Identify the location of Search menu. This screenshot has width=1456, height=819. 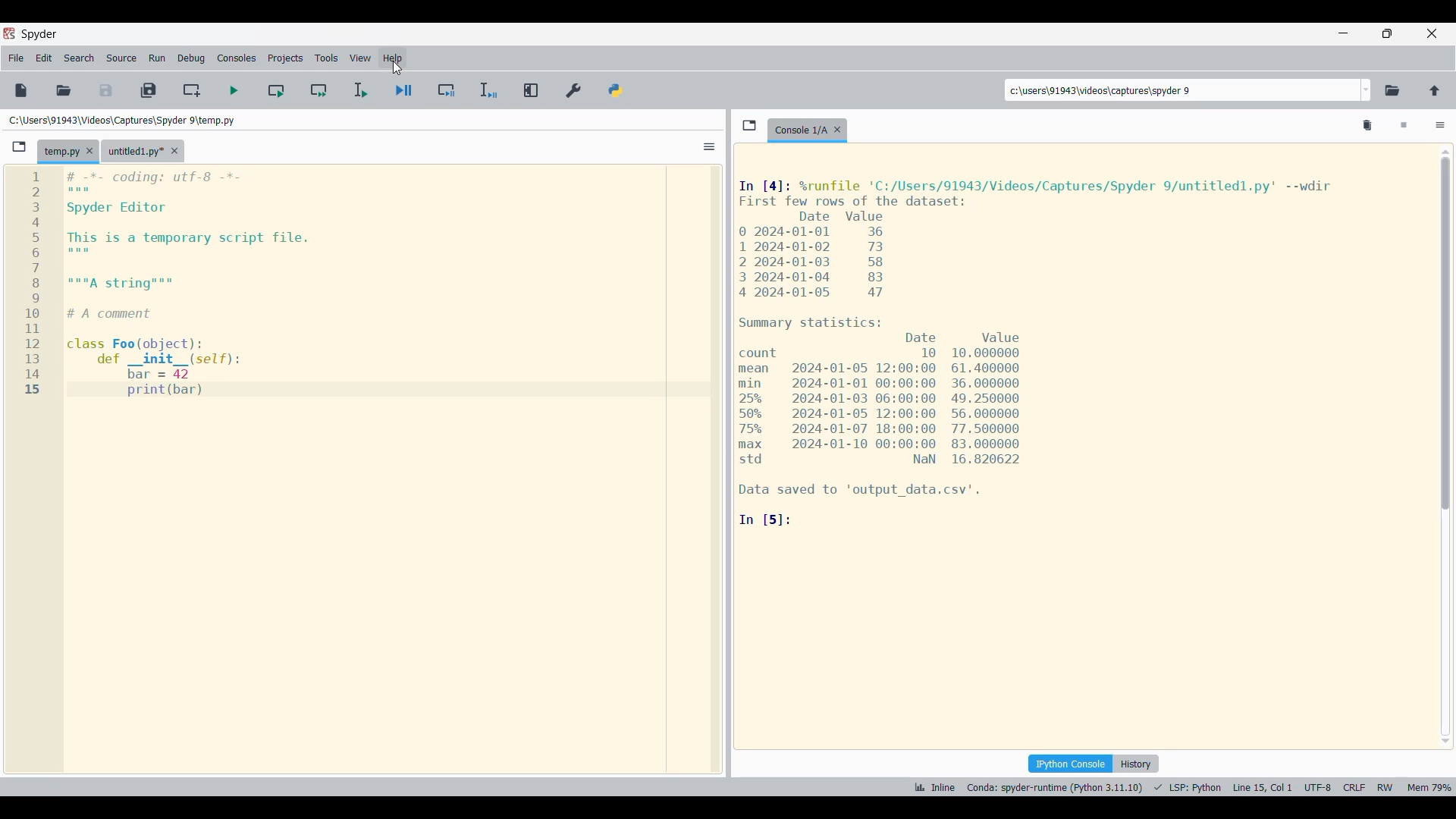
(79, 58).